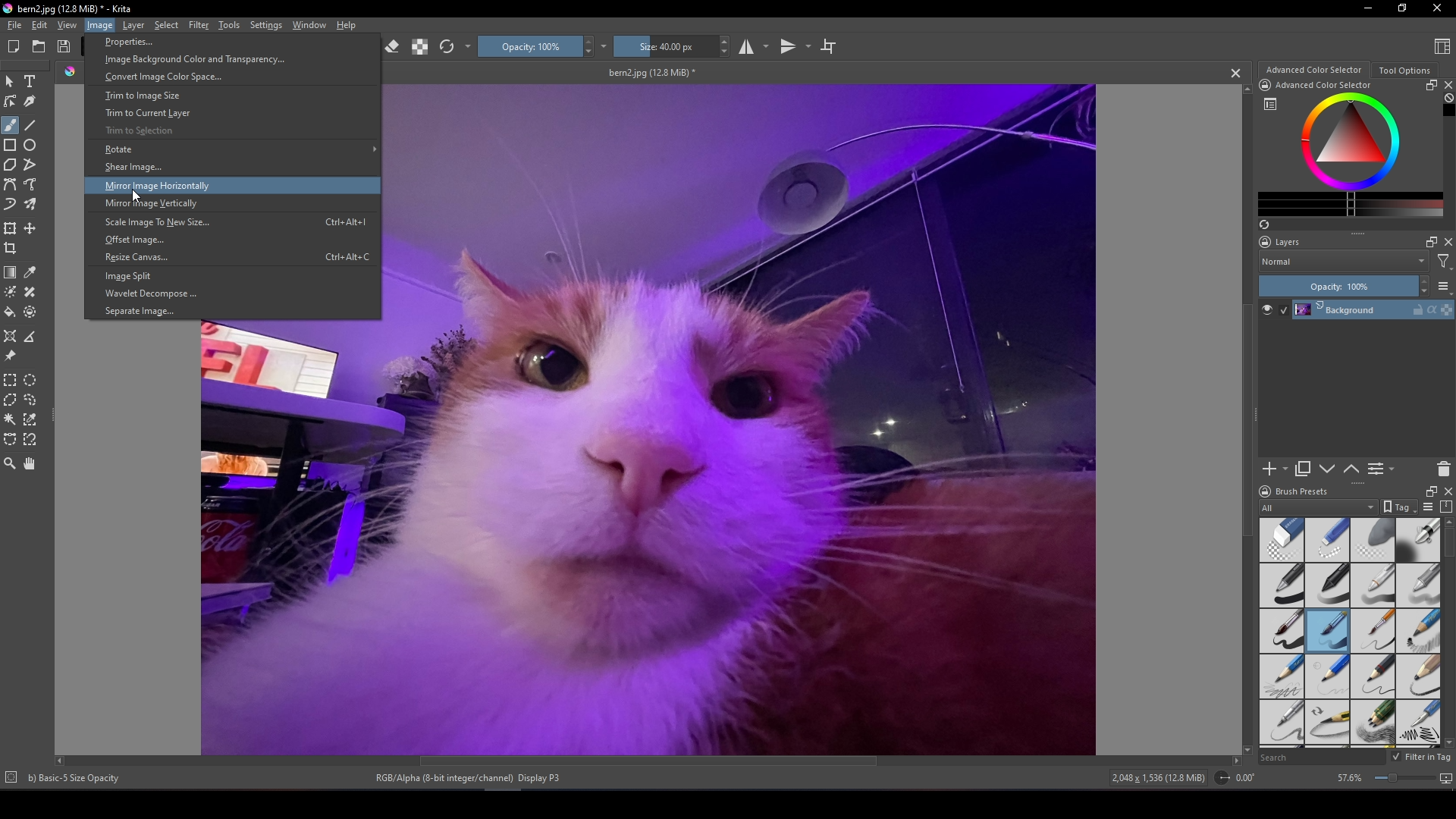 The image size is (1456, 819). Describe the element at coordinates (14, 26) in the screenshot. I see `File` at that location.